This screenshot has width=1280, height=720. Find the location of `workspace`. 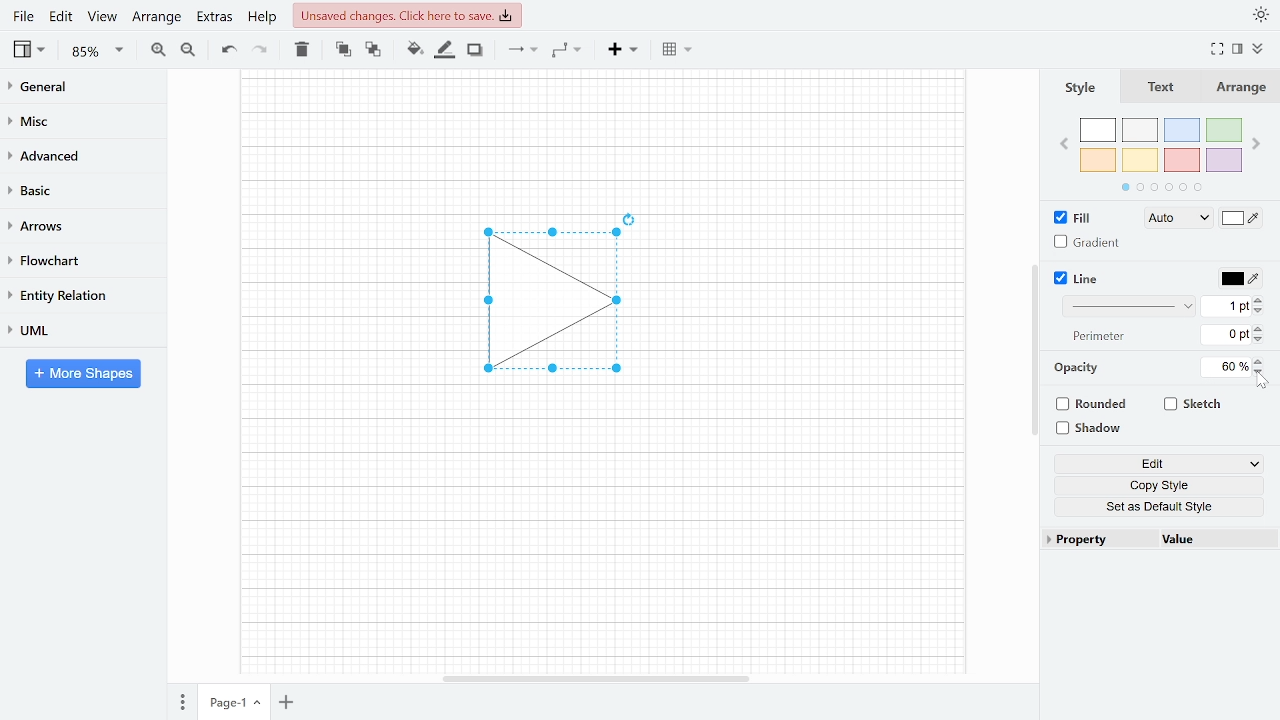

workspace is located at coordinates (819, 302).